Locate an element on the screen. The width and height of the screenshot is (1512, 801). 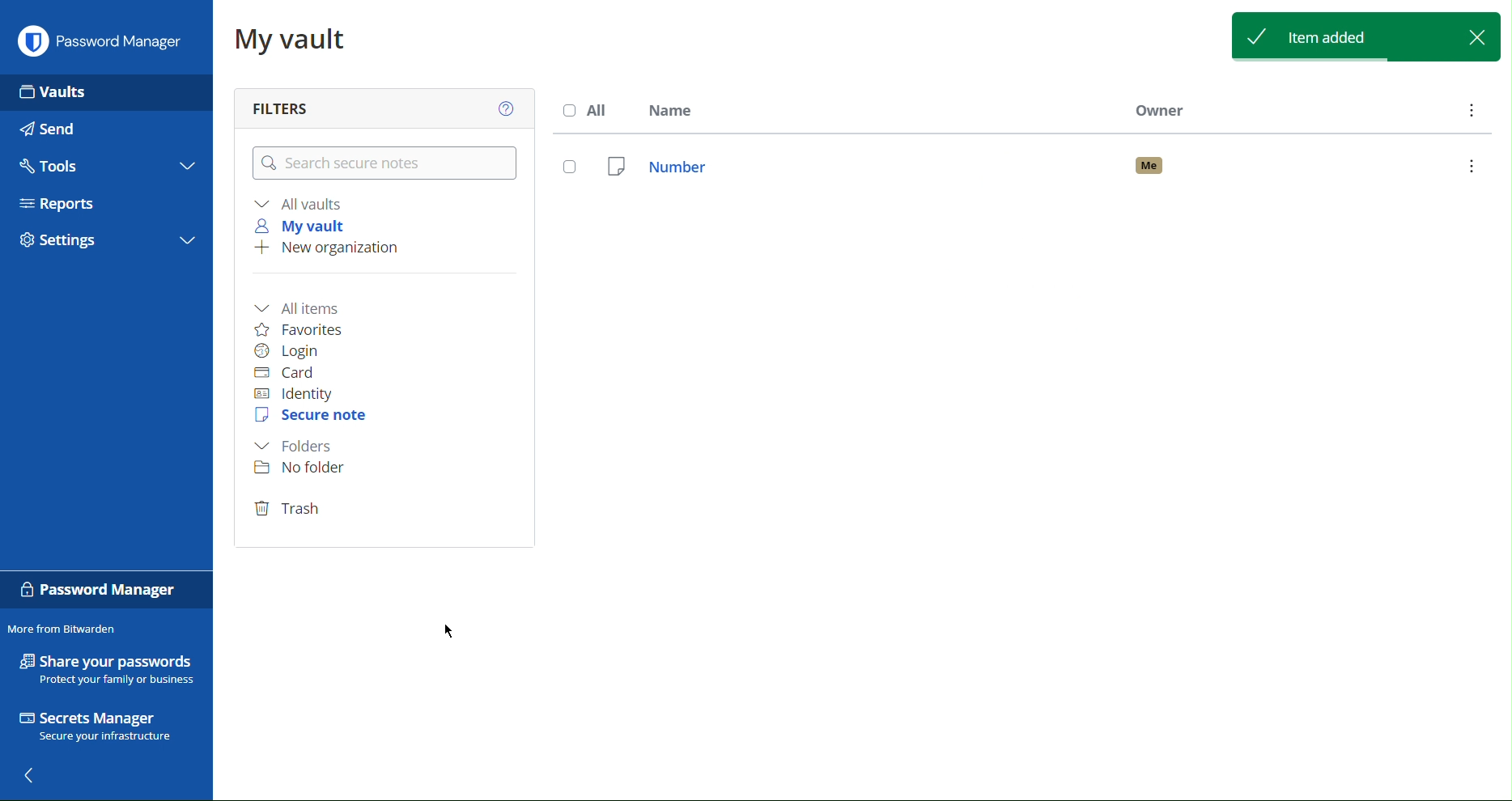
No folder is located at coordinates (298, 469).